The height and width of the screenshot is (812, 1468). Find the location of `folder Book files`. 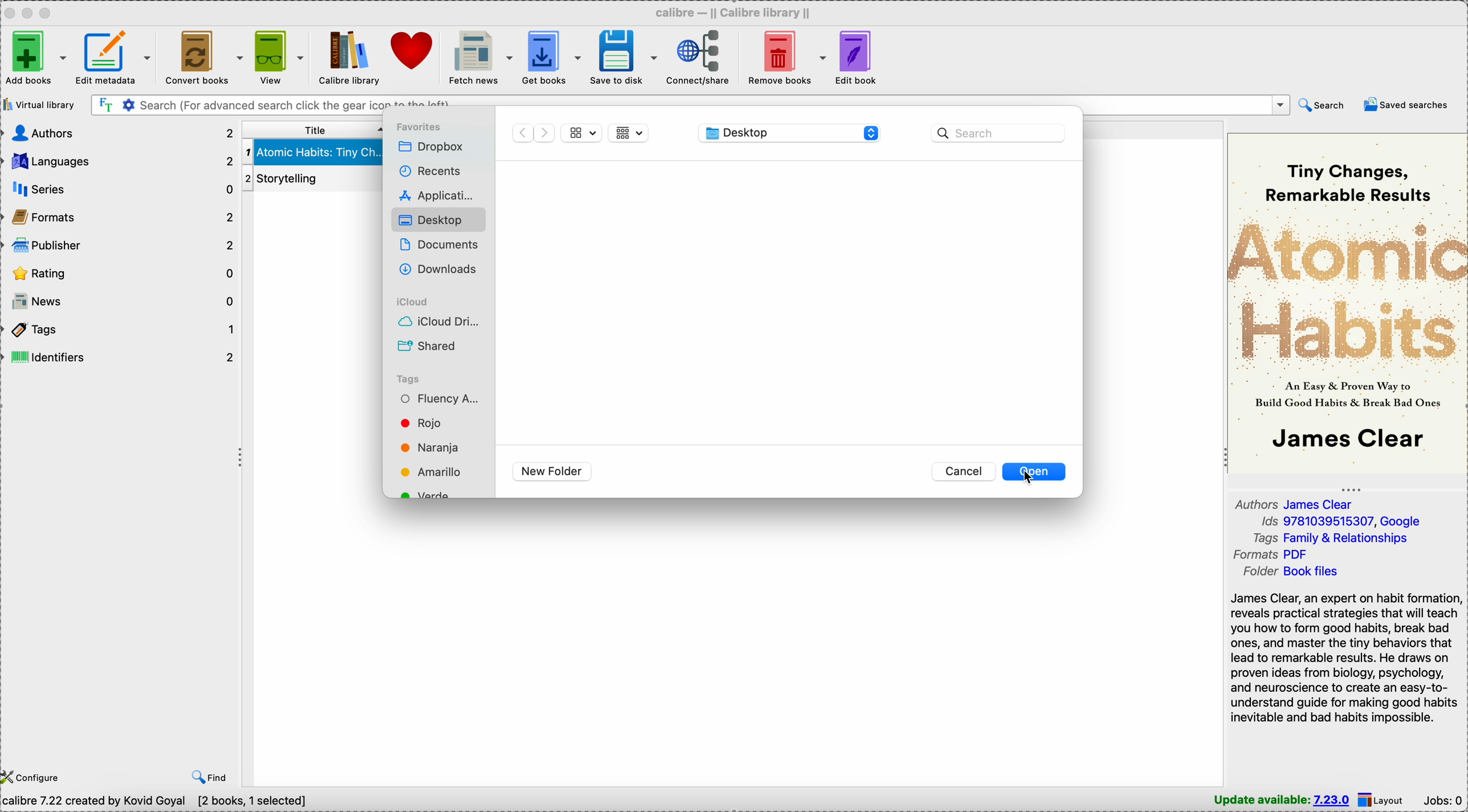

folder Book files is located at coordinates (1292, 572).